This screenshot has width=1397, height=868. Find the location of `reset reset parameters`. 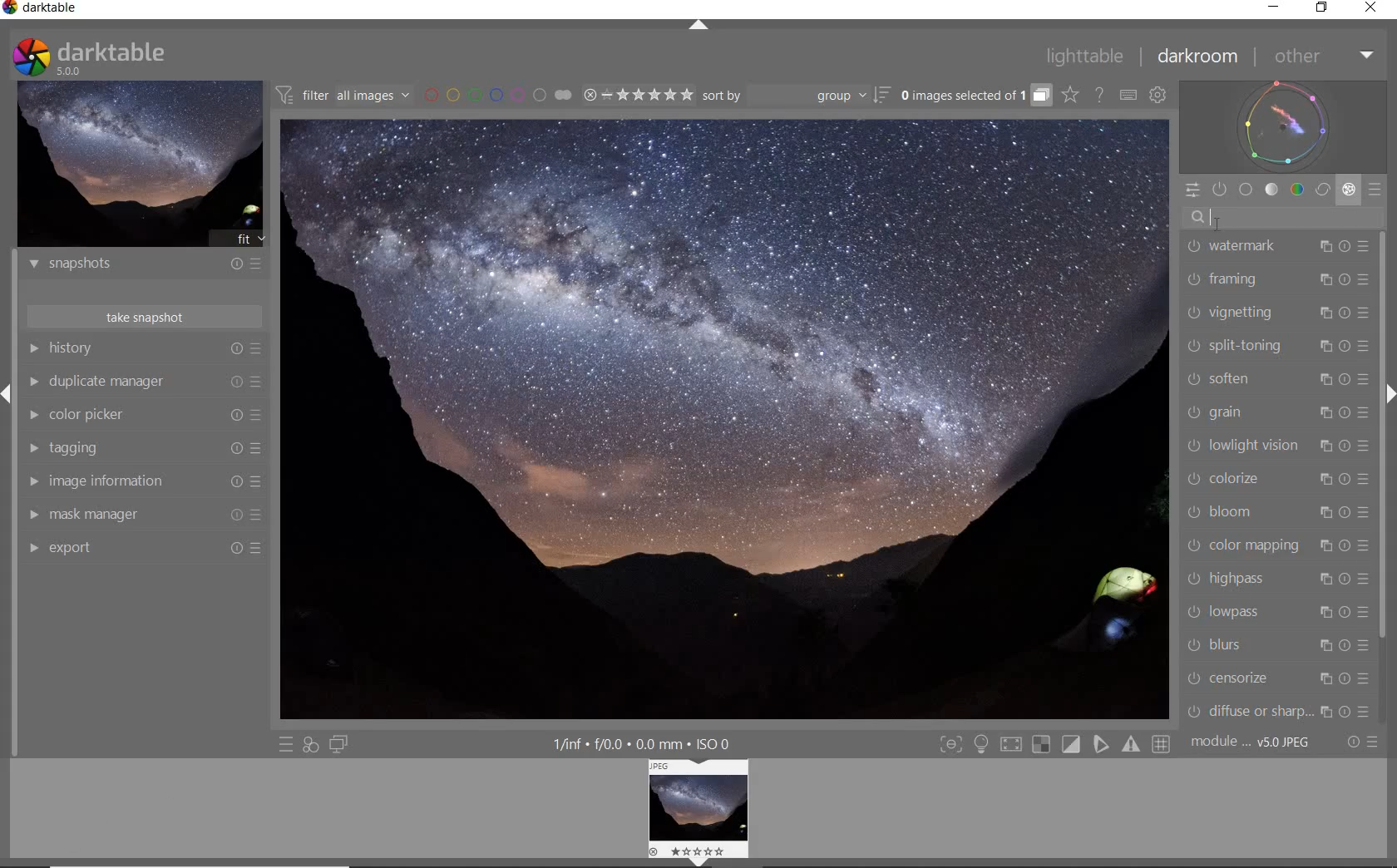

reset reset parameters is located at coordinates (1346, 578).